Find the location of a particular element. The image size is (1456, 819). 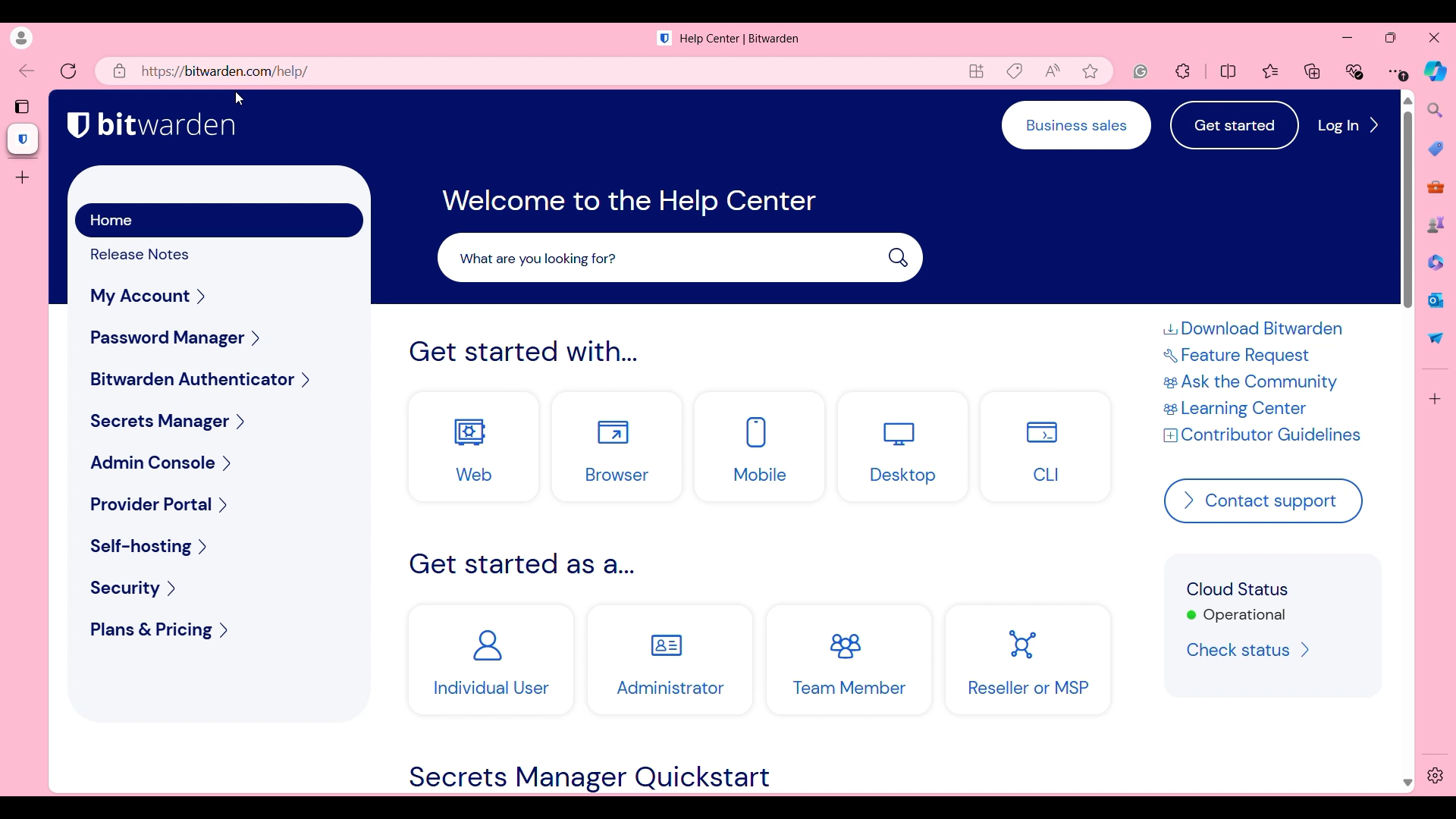

Favorites is located at coordinates (1271, 71).